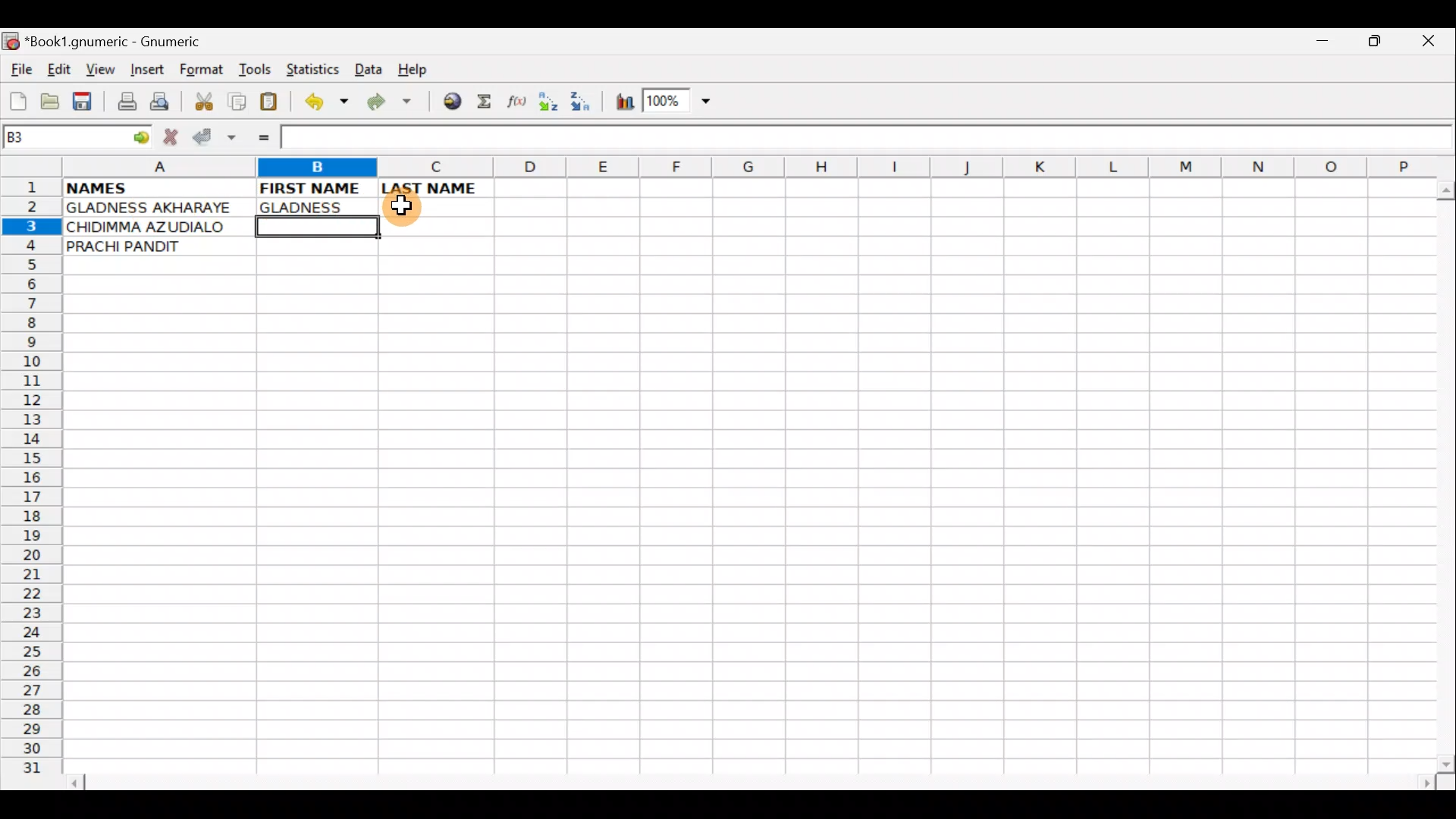  I want to click on Open a file, so click(53, 99).